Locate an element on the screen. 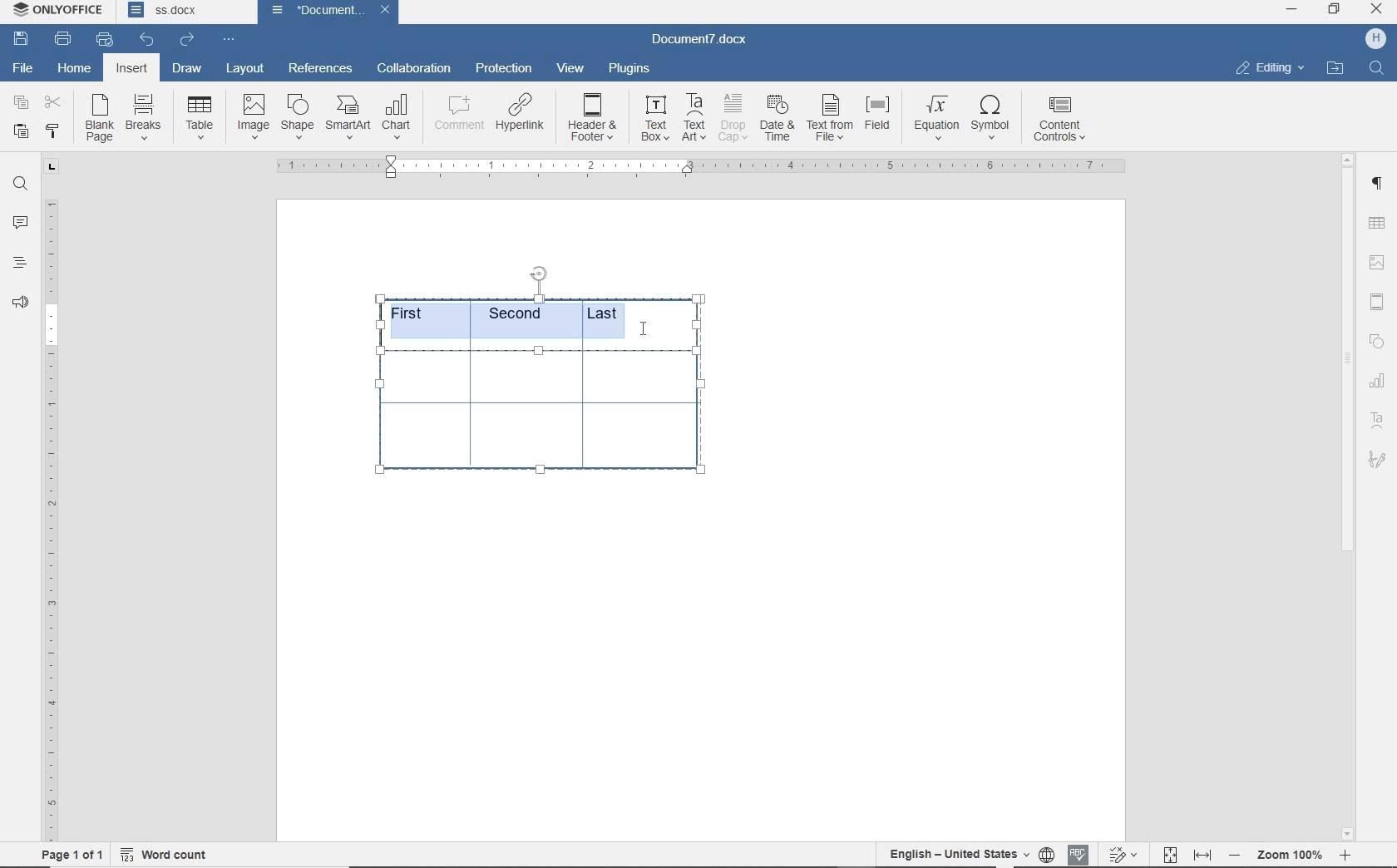 This screenshot has width=1397, height=868. collaboration is located at coordinates (416, 69).